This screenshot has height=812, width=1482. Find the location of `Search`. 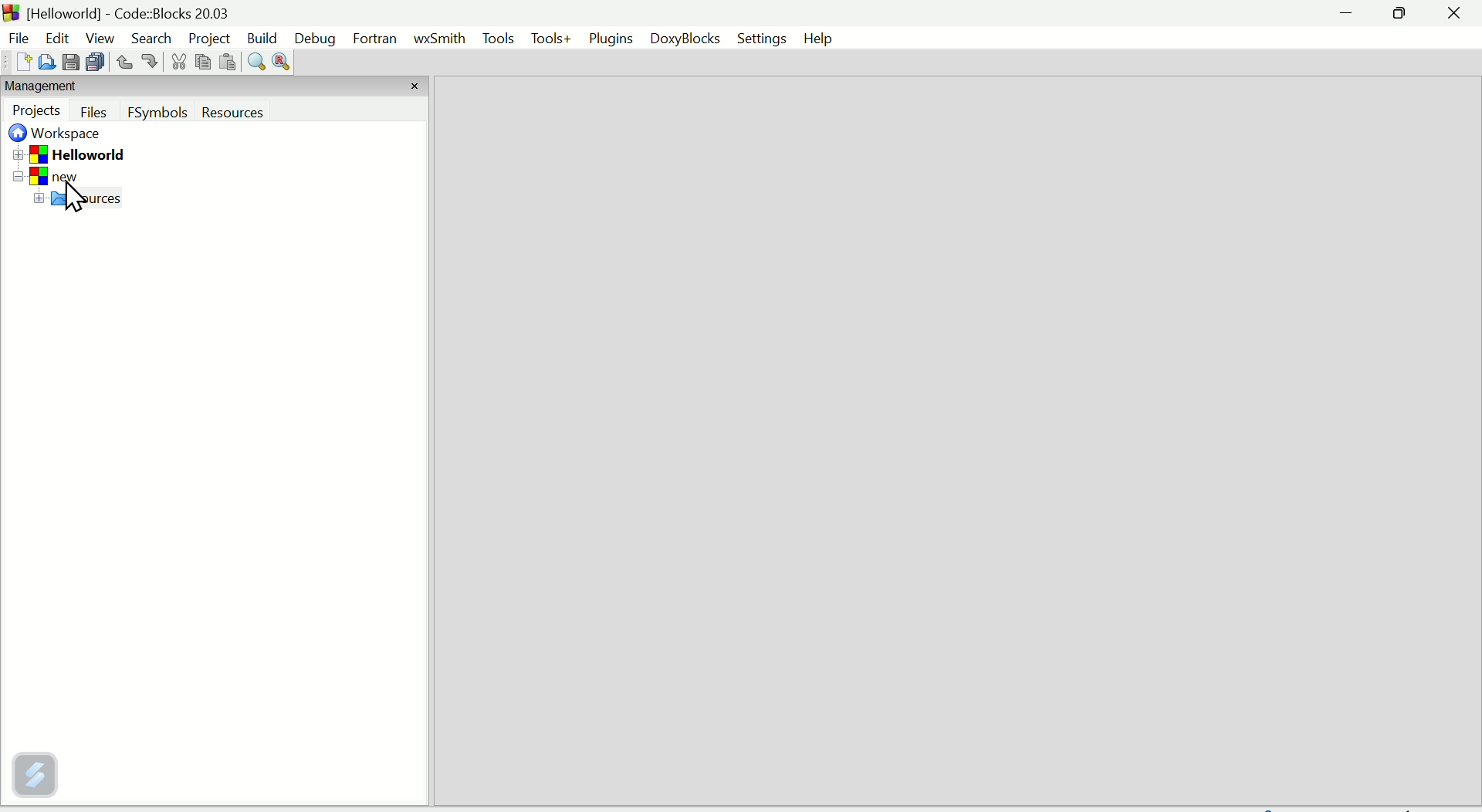

Search is located at coordinates (151, 39).